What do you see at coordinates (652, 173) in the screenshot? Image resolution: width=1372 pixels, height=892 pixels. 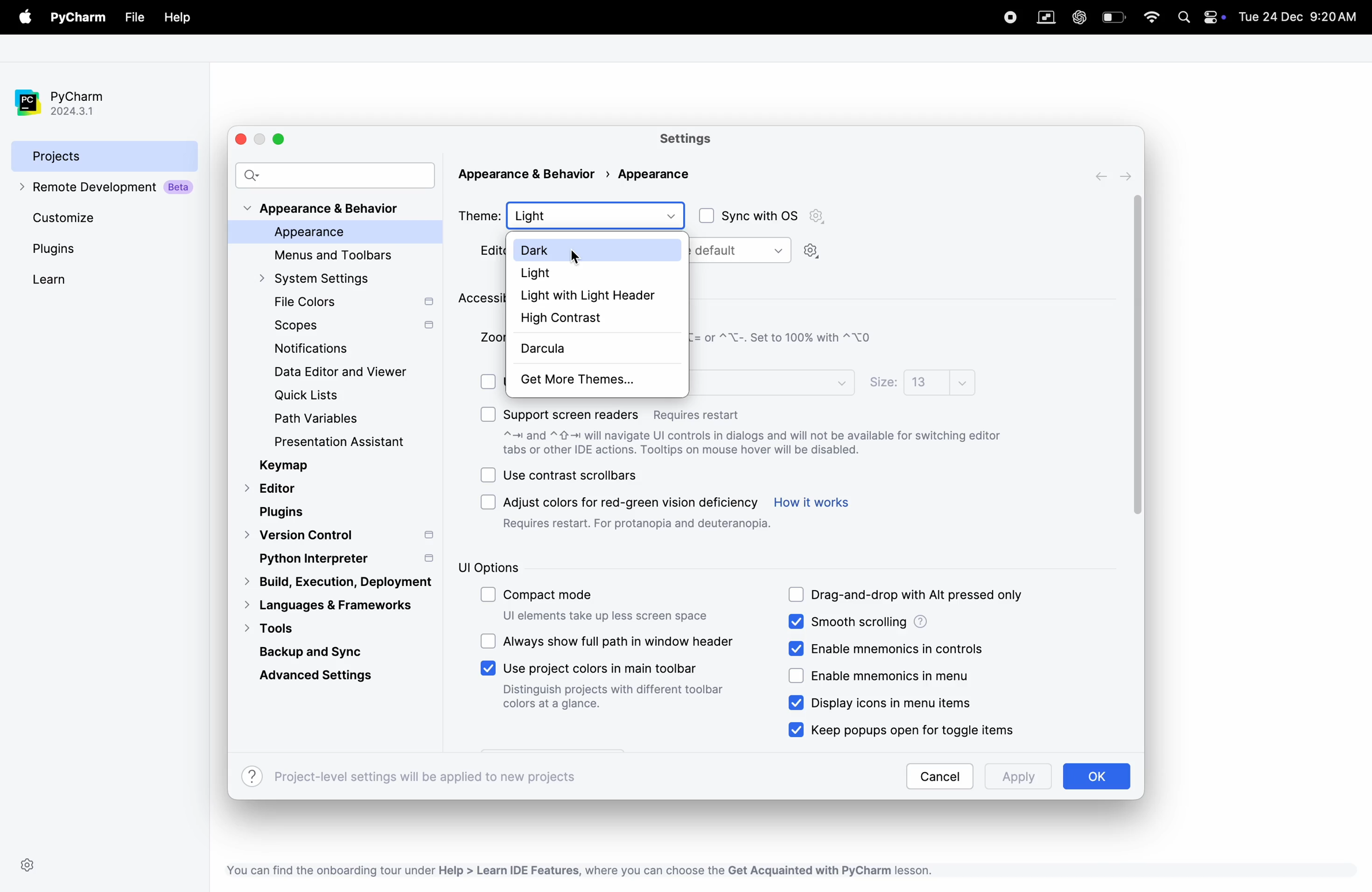 I see `apperance` at bounding box center [652, 173].